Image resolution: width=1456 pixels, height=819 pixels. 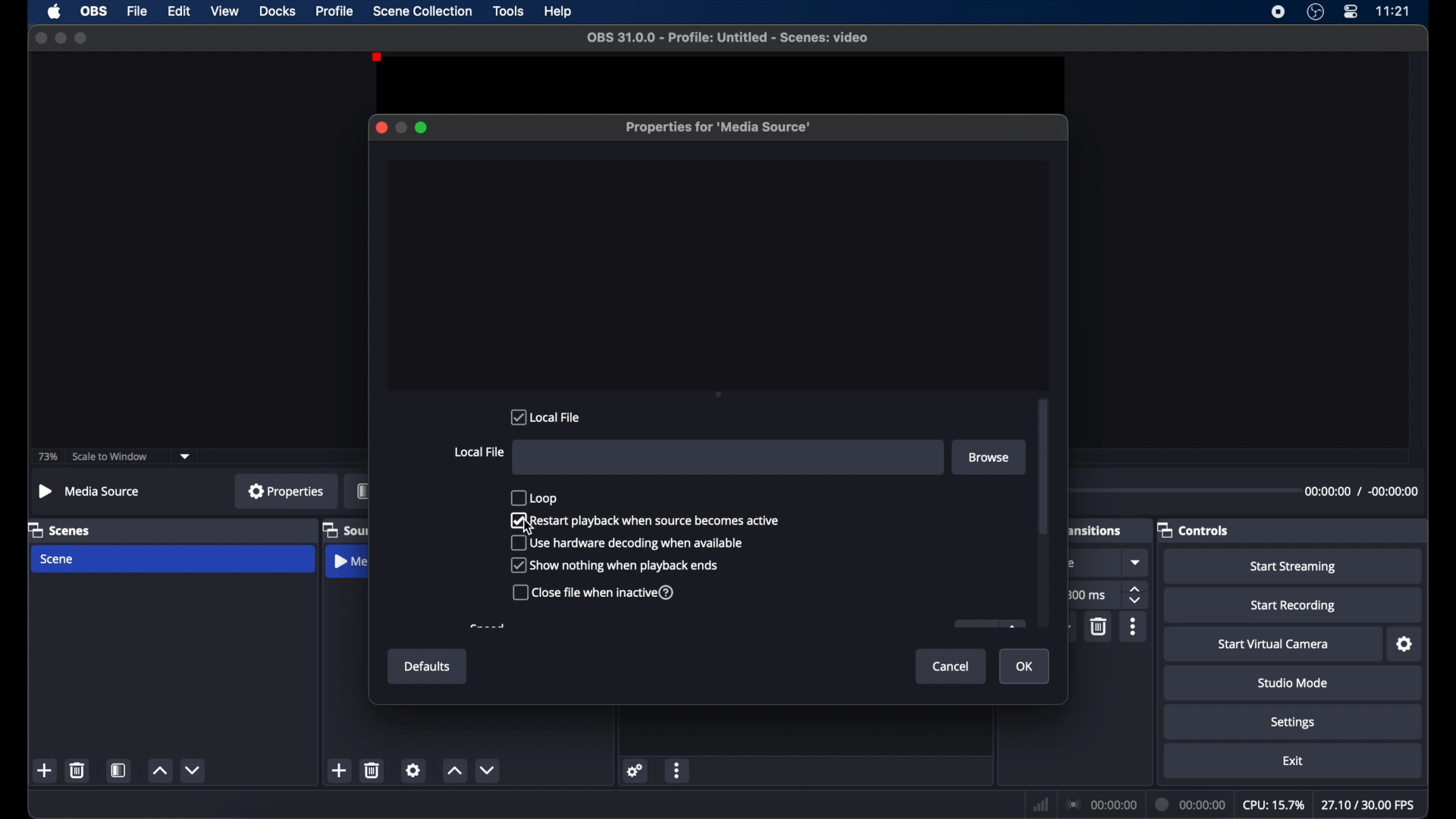 I want to click on close, so click(x=40, y=38).